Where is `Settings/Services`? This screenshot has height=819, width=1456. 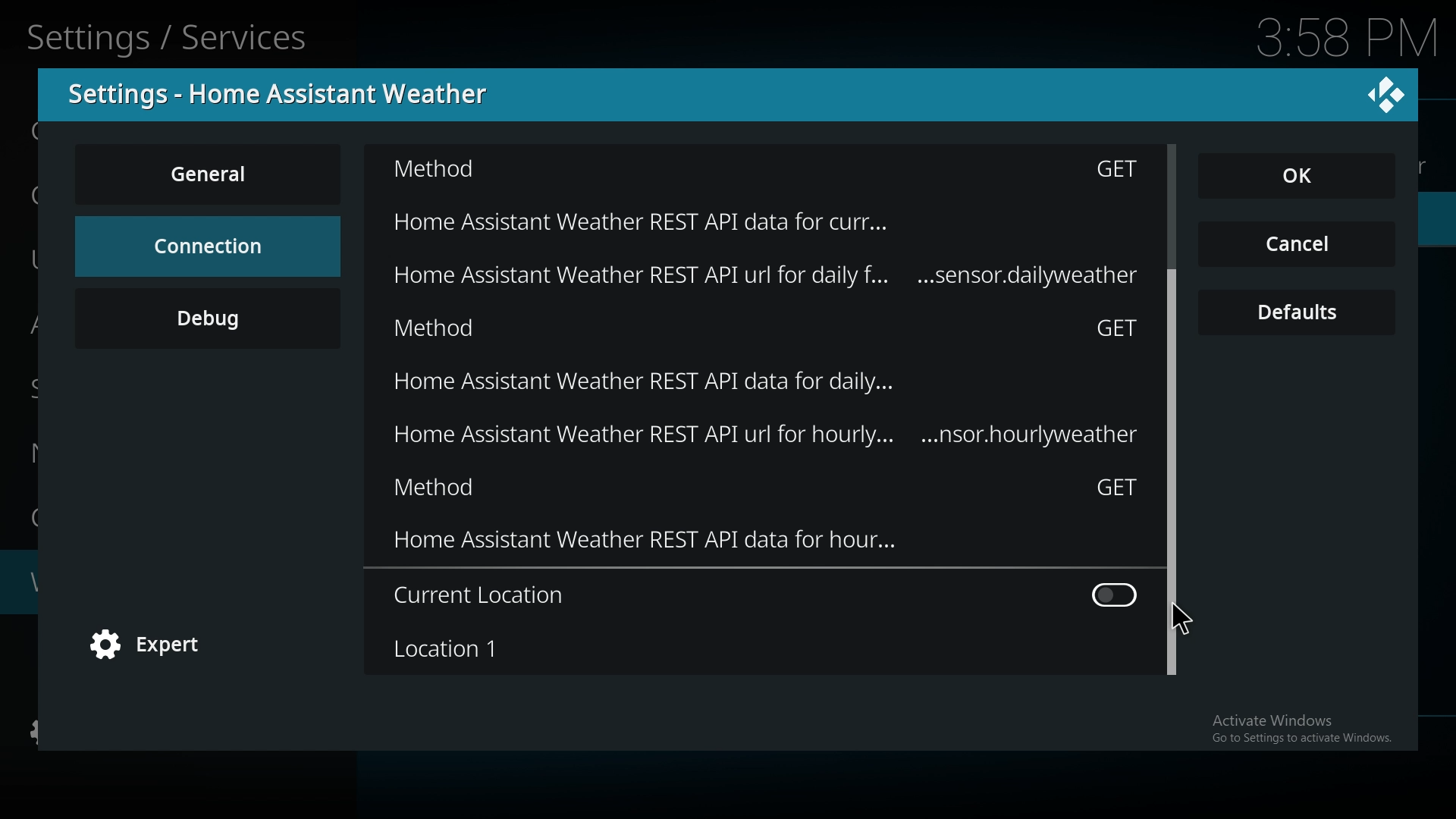
Settings/Services is located at coordinates (171, 35).